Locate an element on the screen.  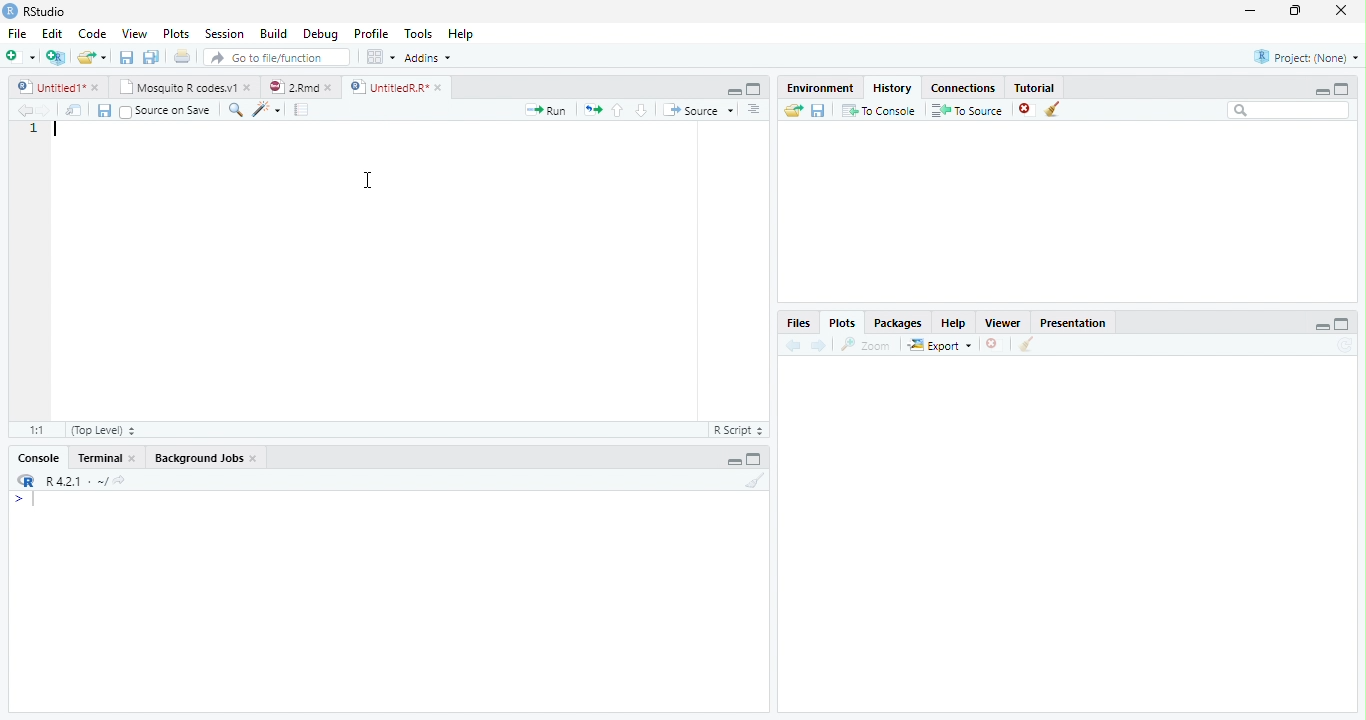
maximize is located at coordinates (754, 88).